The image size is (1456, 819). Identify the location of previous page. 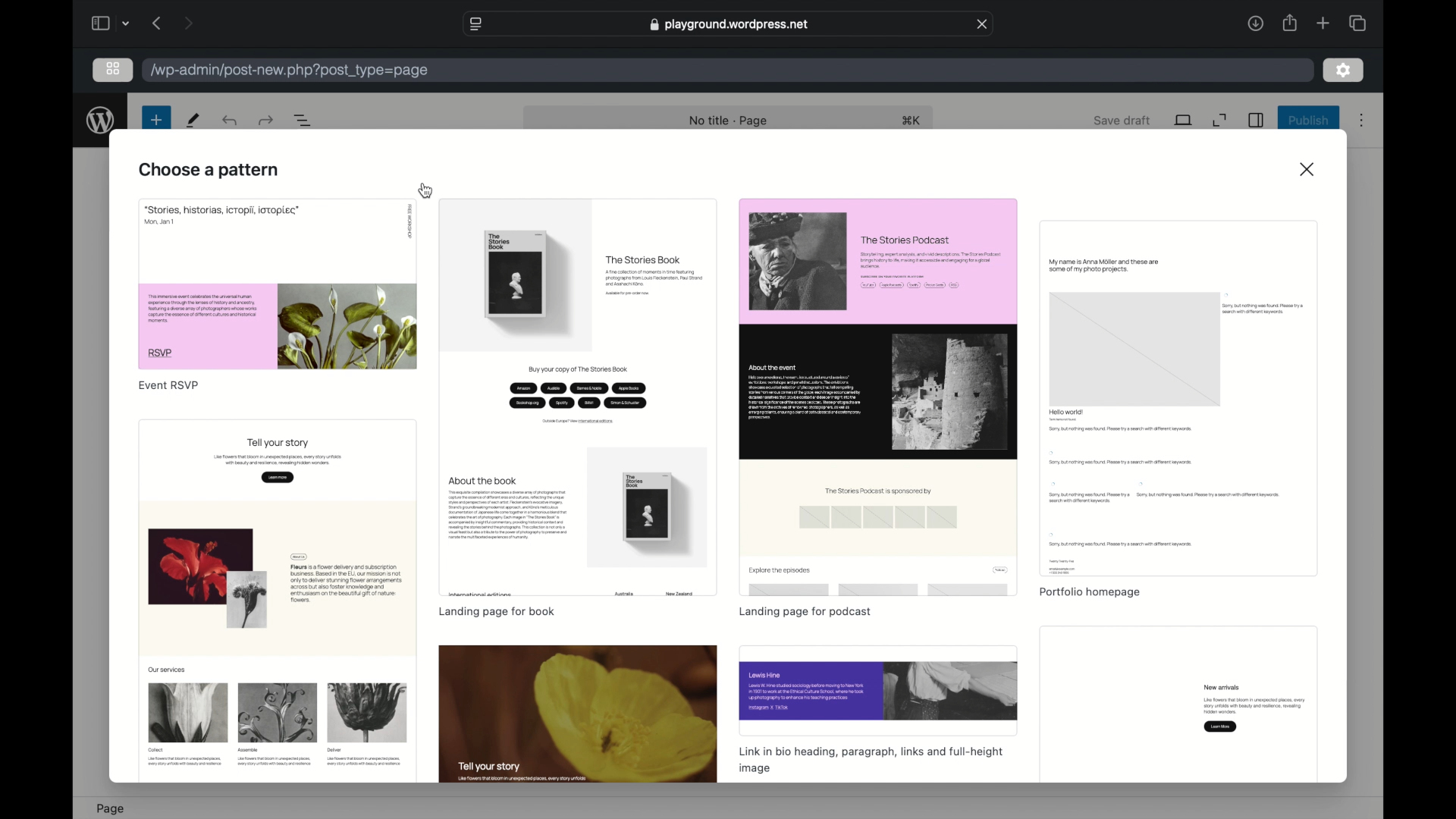
(158, 23).